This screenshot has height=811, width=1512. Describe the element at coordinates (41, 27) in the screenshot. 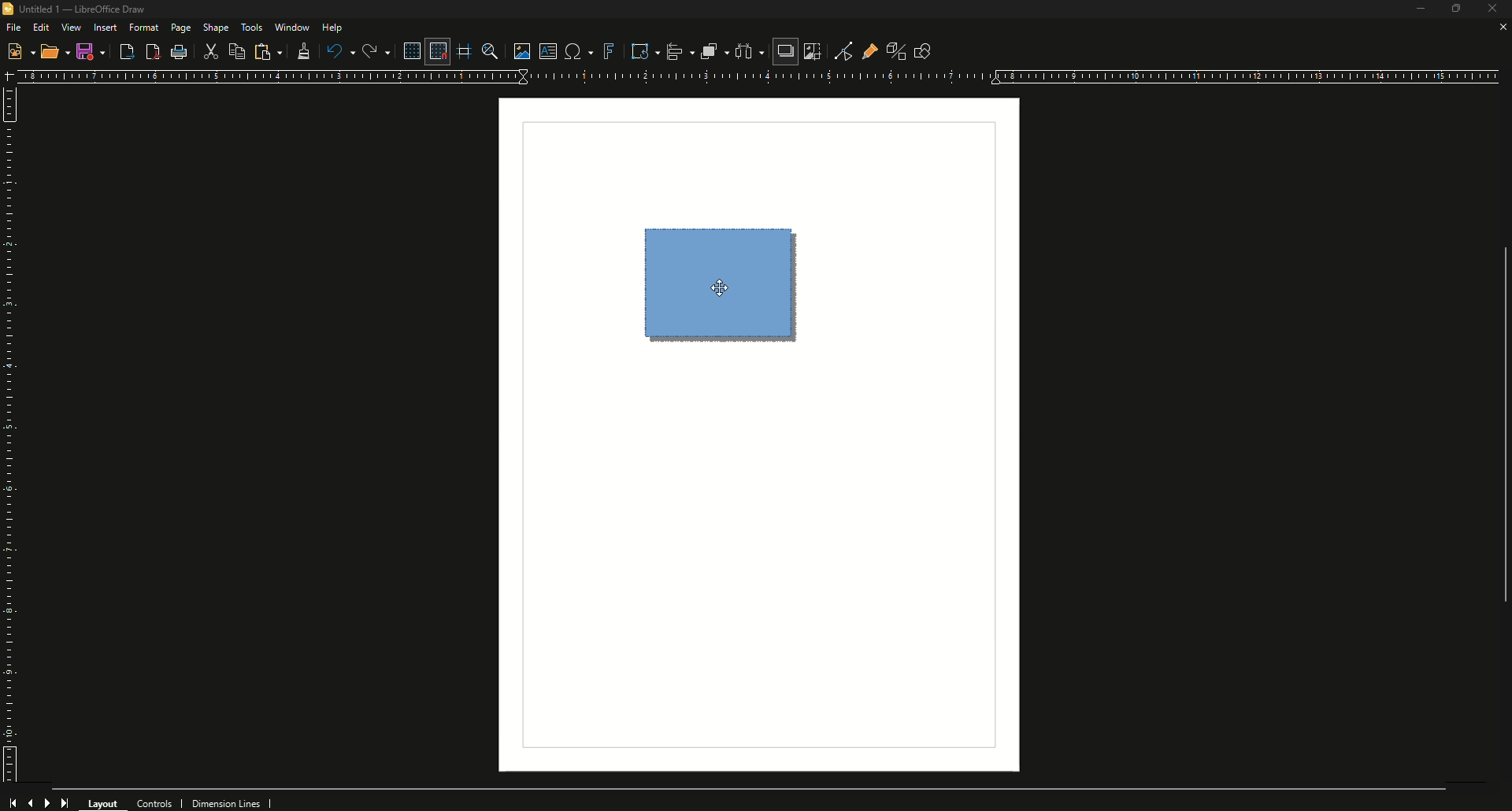

I see `Edit` at that location.